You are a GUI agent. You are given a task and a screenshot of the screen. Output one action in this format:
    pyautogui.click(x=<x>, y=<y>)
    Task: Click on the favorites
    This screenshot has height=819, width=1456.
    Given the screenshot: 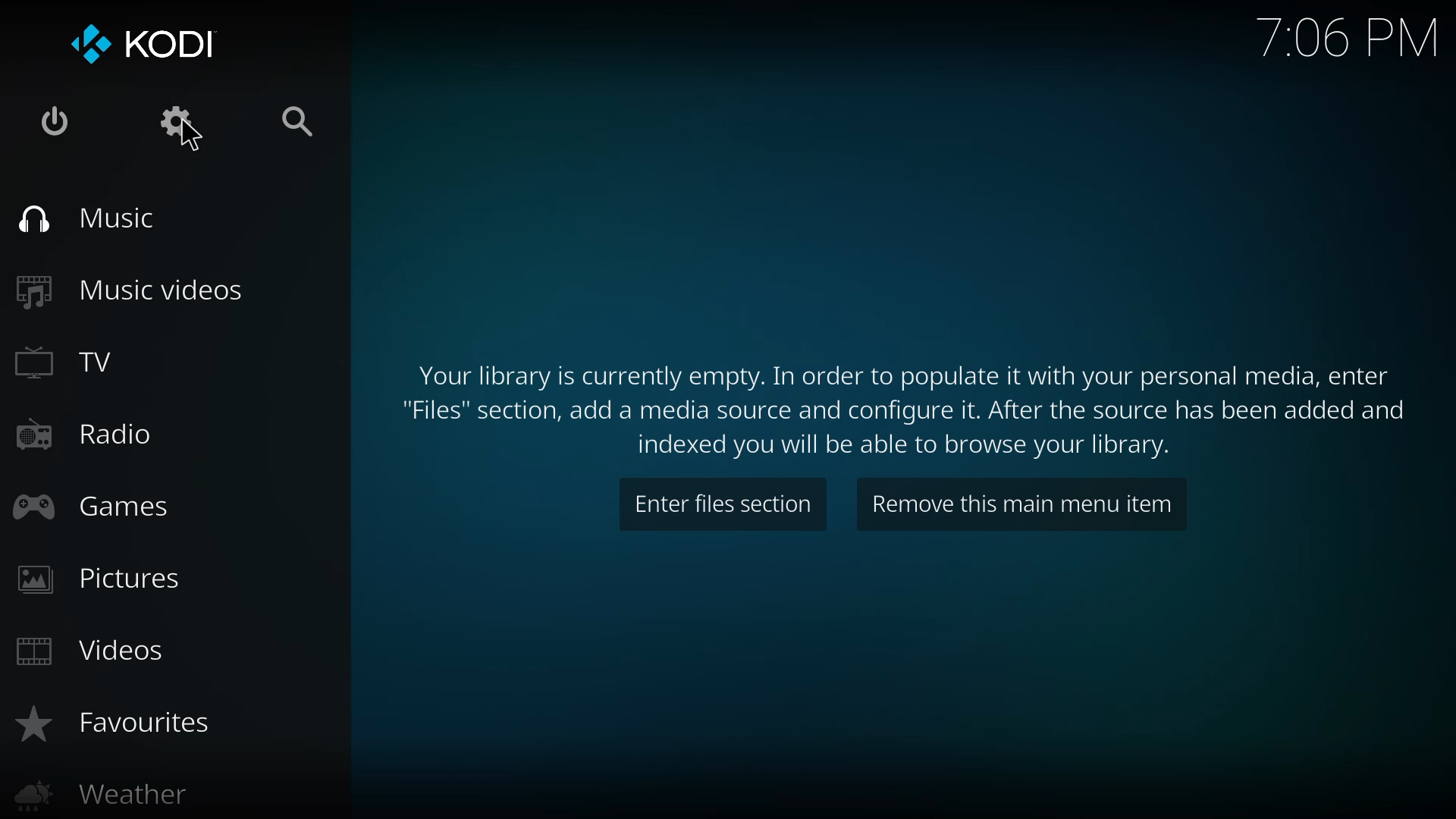 What is the action you would take?
    pyautogui.click(x=114, y=724)
    